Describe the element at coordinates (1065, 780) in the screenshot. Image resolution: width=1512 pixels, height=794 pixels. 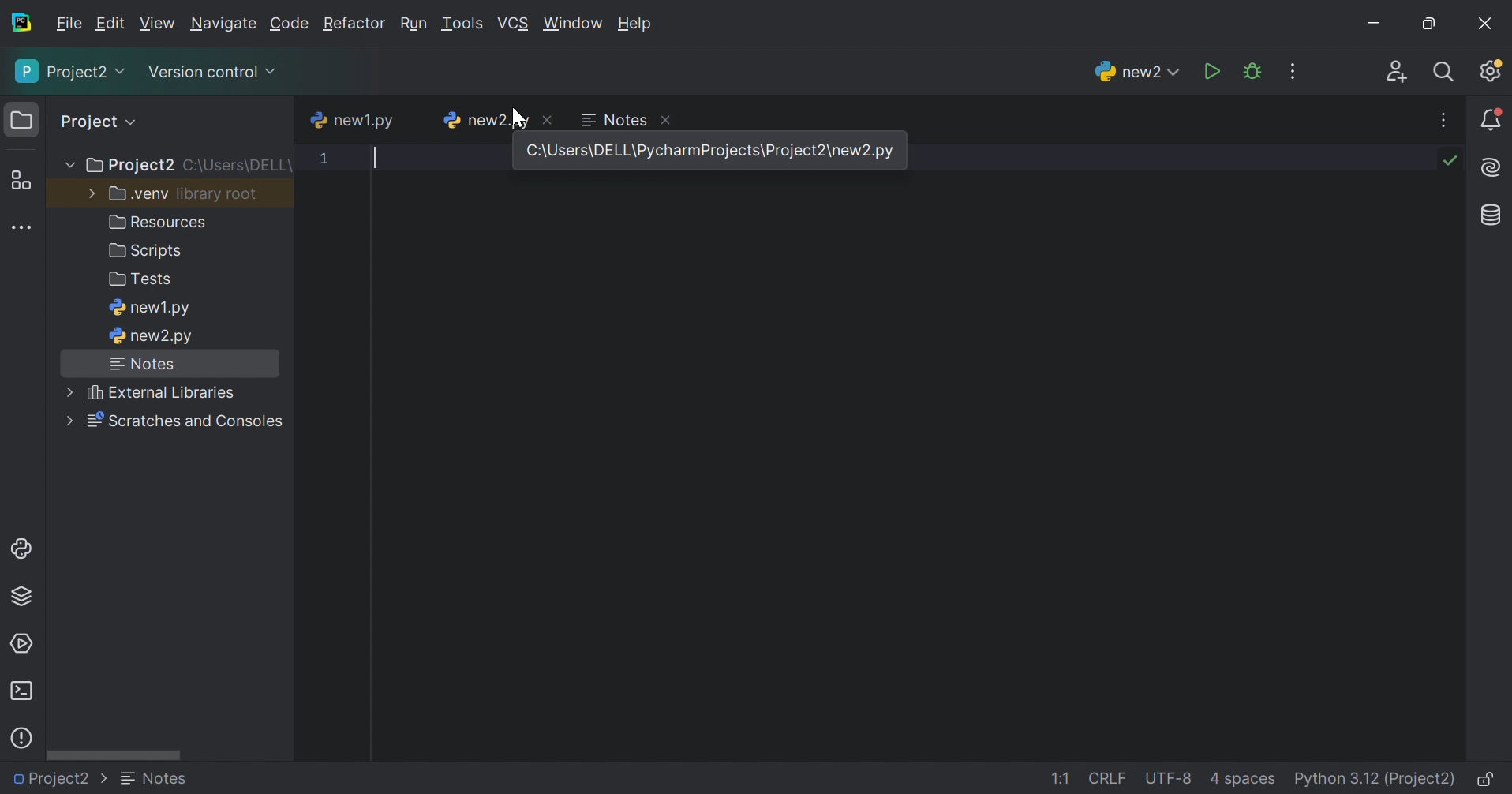
I see `1:1` at that location.